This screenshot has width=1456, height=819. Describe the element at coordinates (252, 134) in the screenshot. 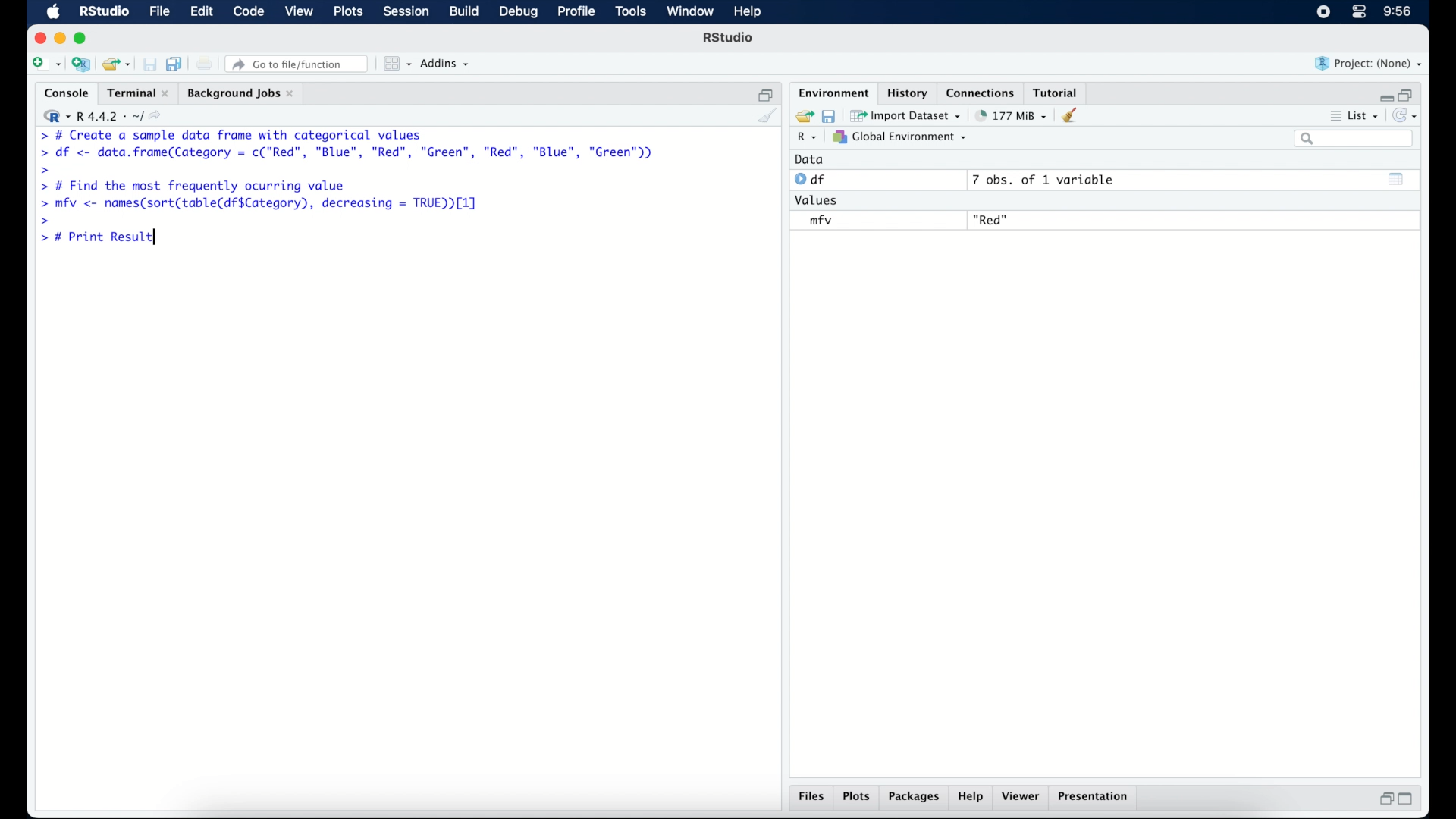

I see `> # Create a sample data frame with categorical values|` at that location.